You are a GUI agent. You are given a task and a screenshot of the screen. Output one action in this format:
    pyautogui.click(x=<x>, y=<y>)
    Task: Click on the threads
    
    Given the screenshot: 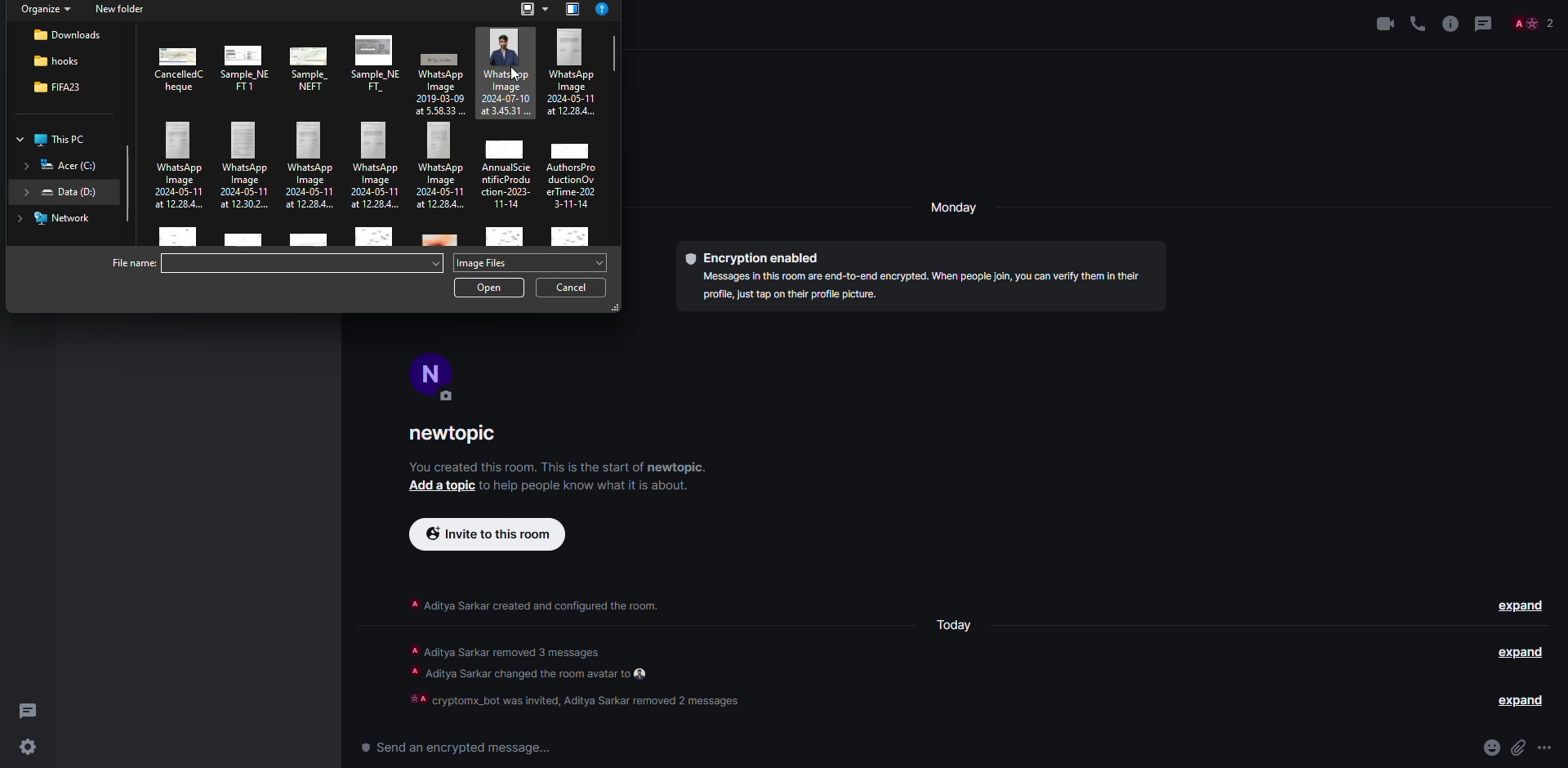 What is the action you would take?
    pyautogui.click(x=29, y=712)
    